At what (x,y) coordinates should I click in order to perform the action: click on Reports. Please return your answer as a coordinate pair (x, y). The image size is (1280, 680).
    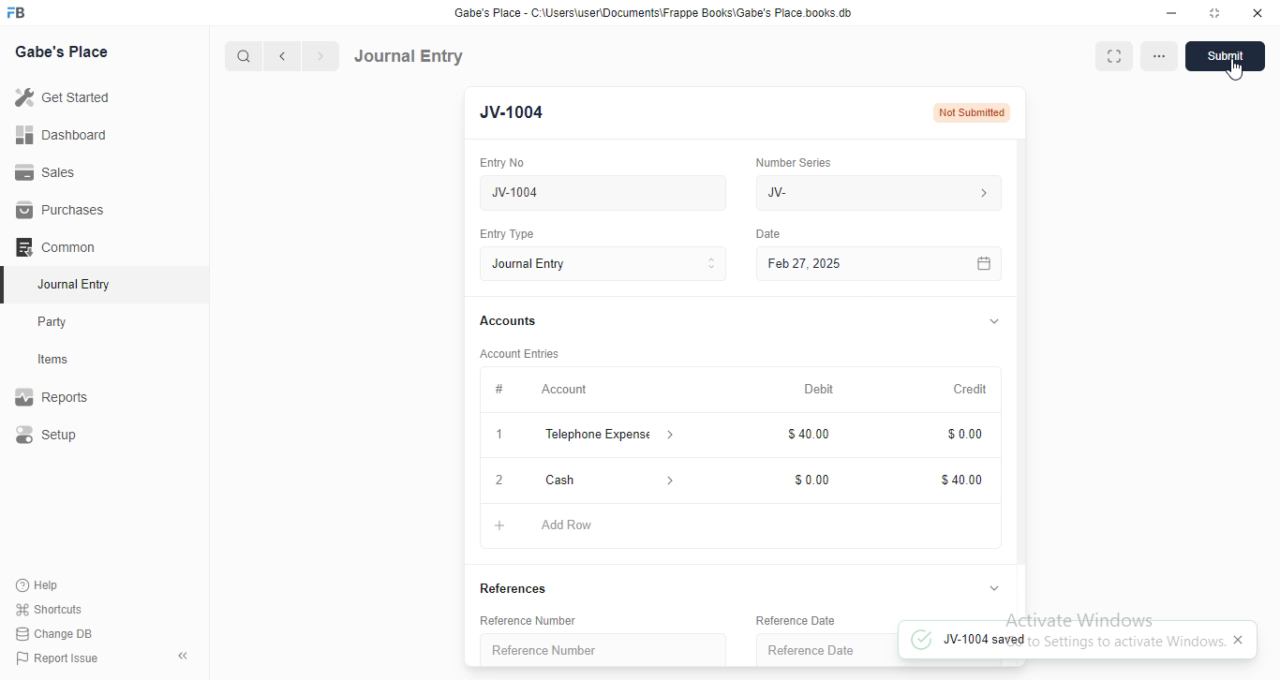
    Looking at the image, I should click on (53, 394).